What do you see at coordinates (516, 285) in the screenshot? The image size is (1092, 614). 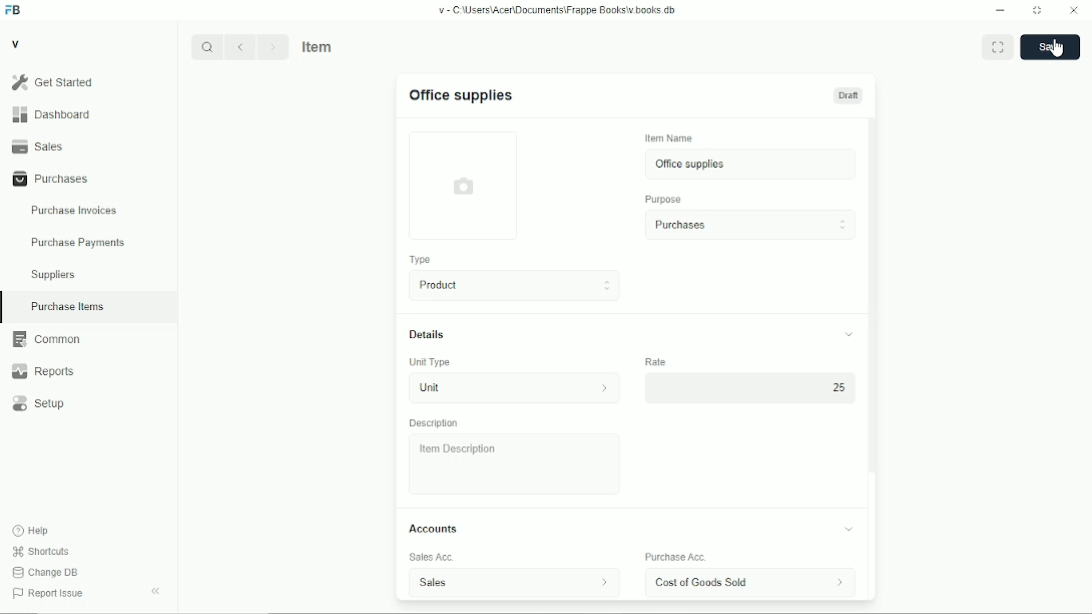 I see `product` at bounding box center [516, 285].